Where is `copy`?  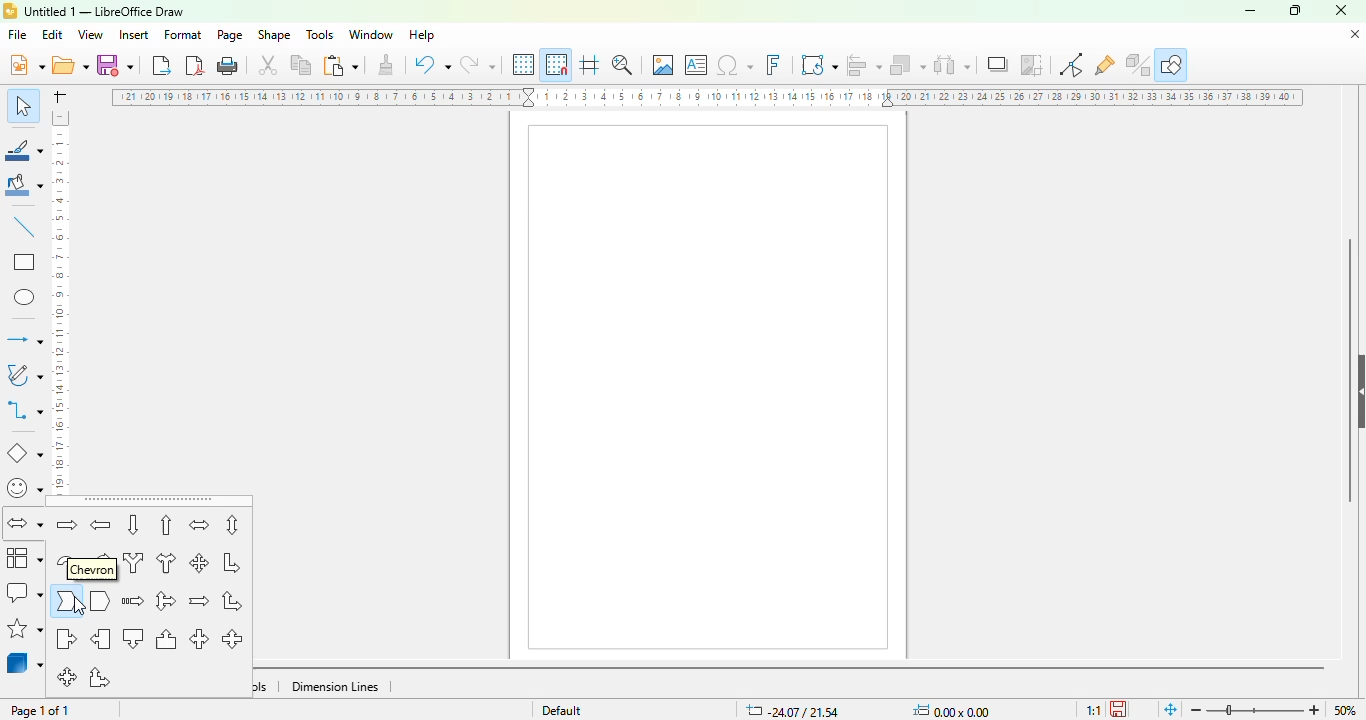 copy is located at coordinates (301, 65).